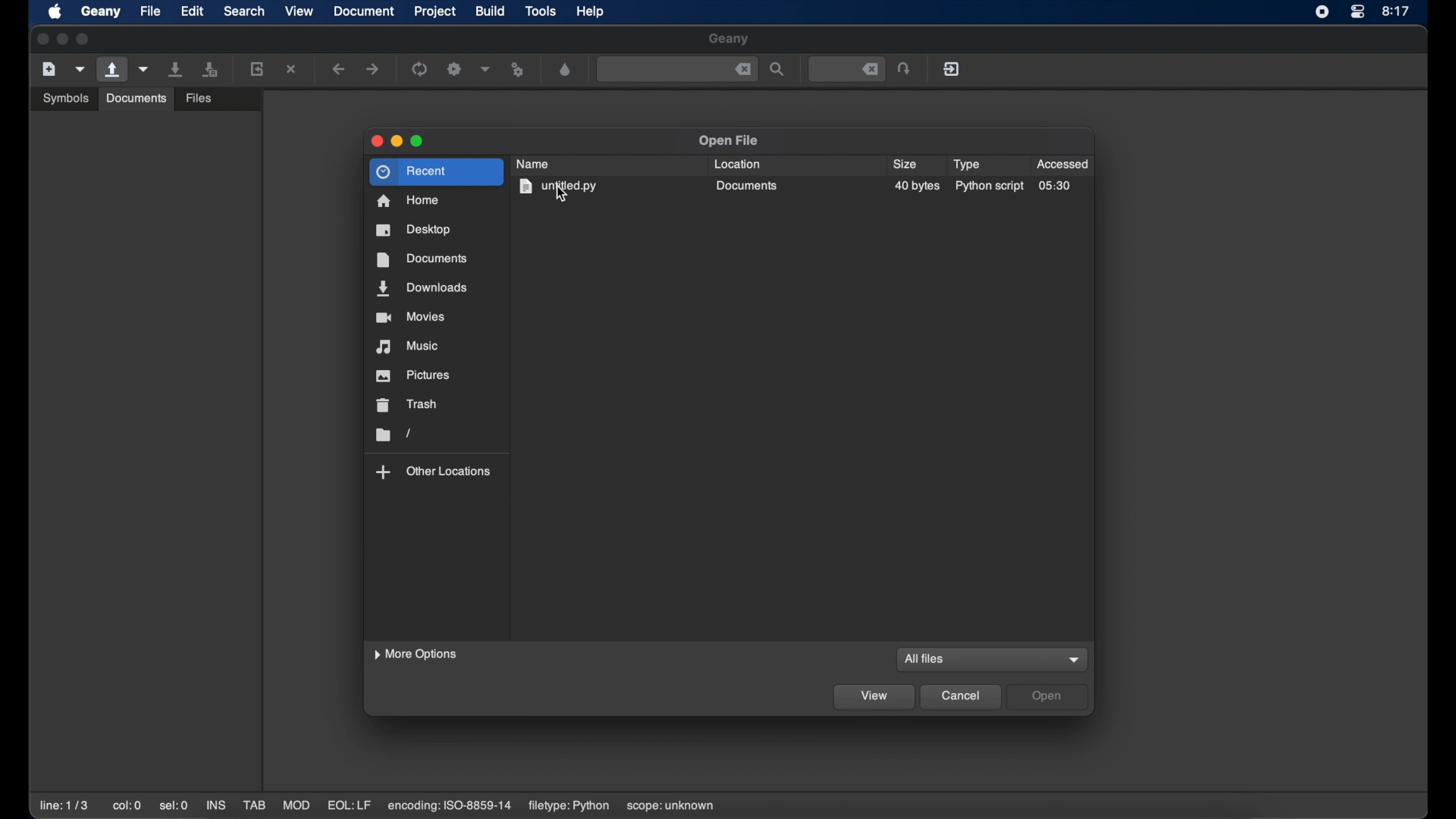 The height and width of the screenshot is (819, 1456). Describe the element at coordinates (415, 654) in the screenshot. I see `more options` at that location.